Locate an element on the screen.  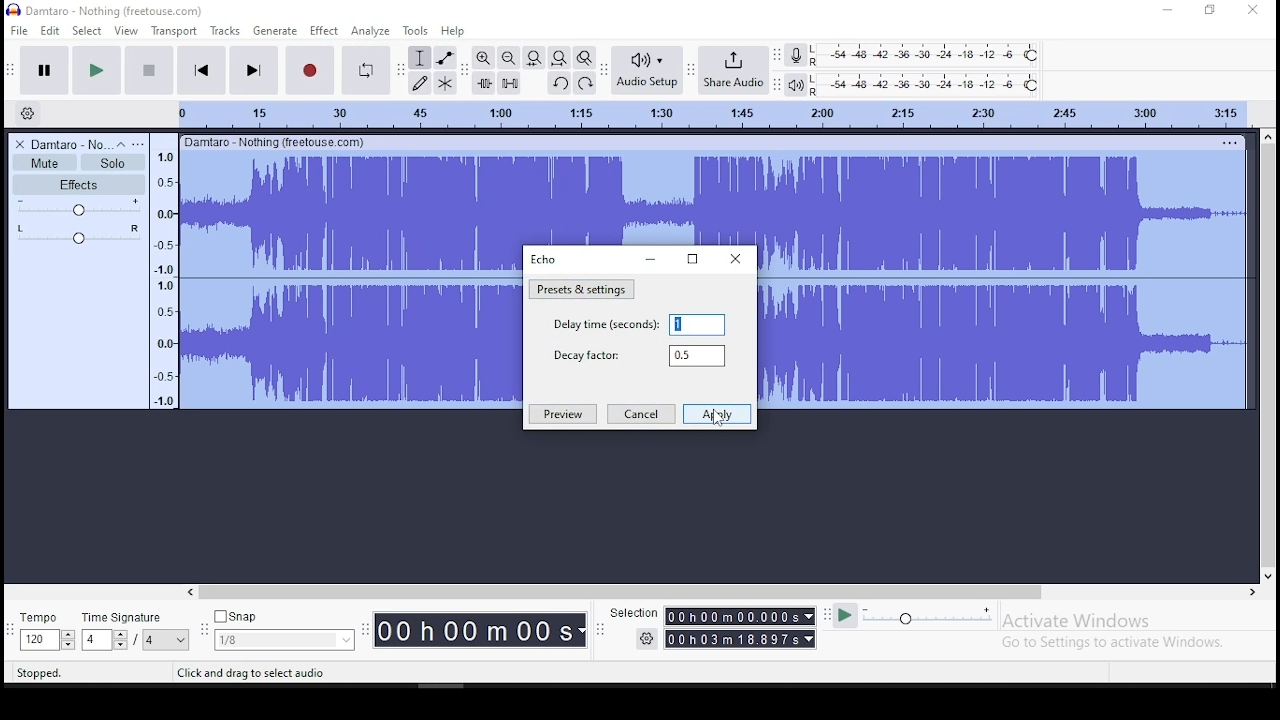
record meter is located at coordinates (796, 57).